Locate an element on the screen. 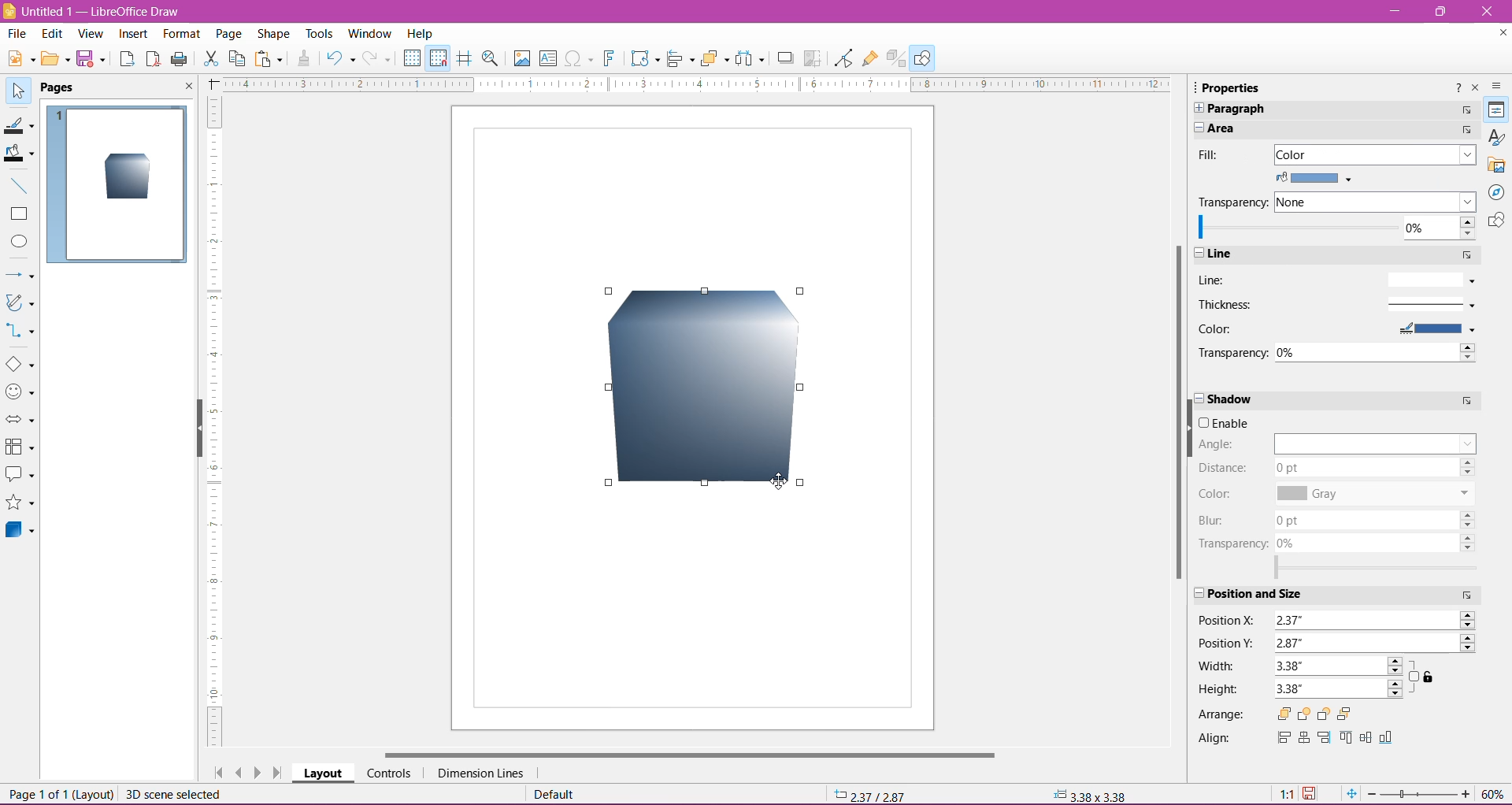  Restore Down is located at coordinates (1439, 11).